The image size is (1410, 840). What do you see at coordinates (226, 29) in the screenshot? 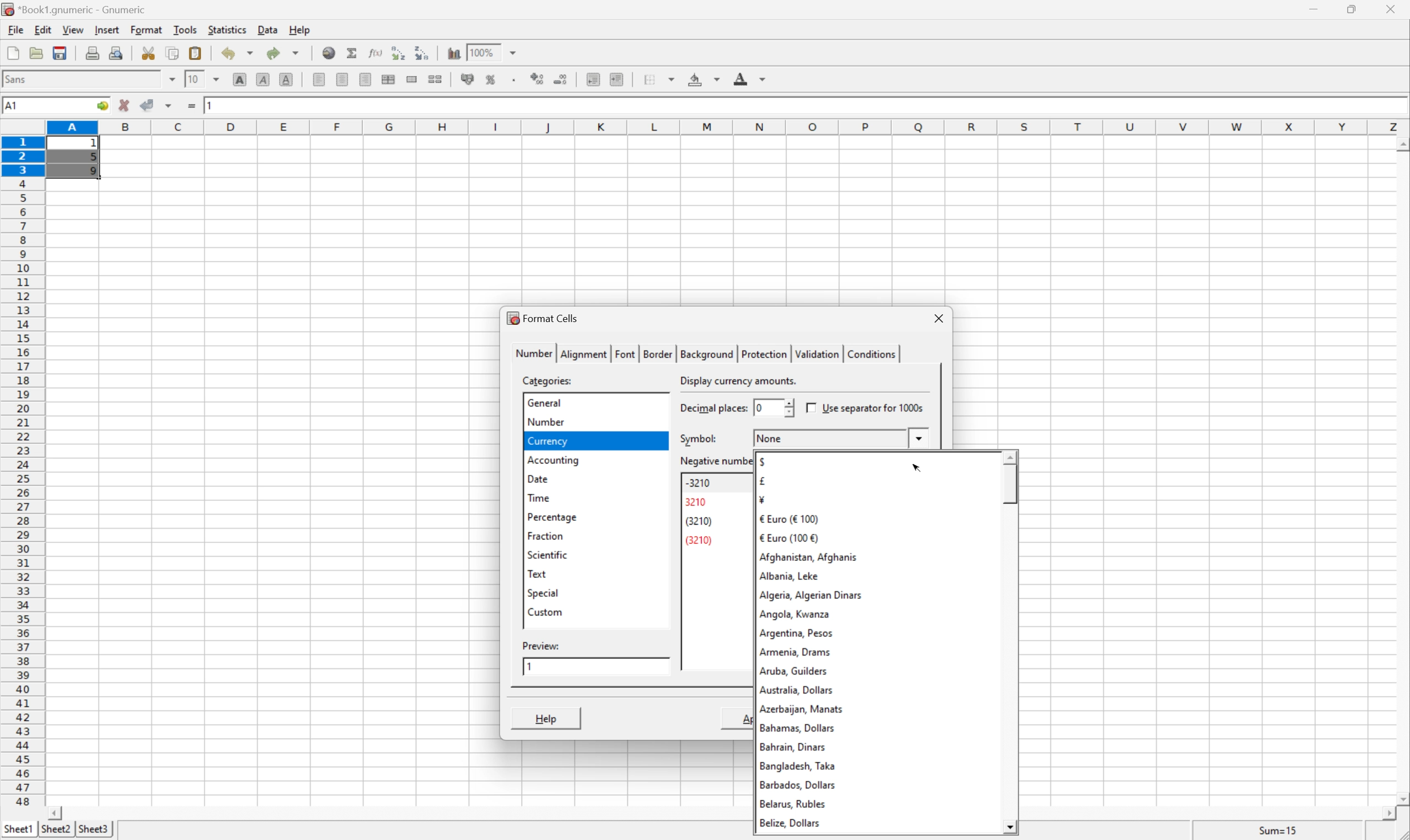
I see `statistics` at bounding box center [226, 29].